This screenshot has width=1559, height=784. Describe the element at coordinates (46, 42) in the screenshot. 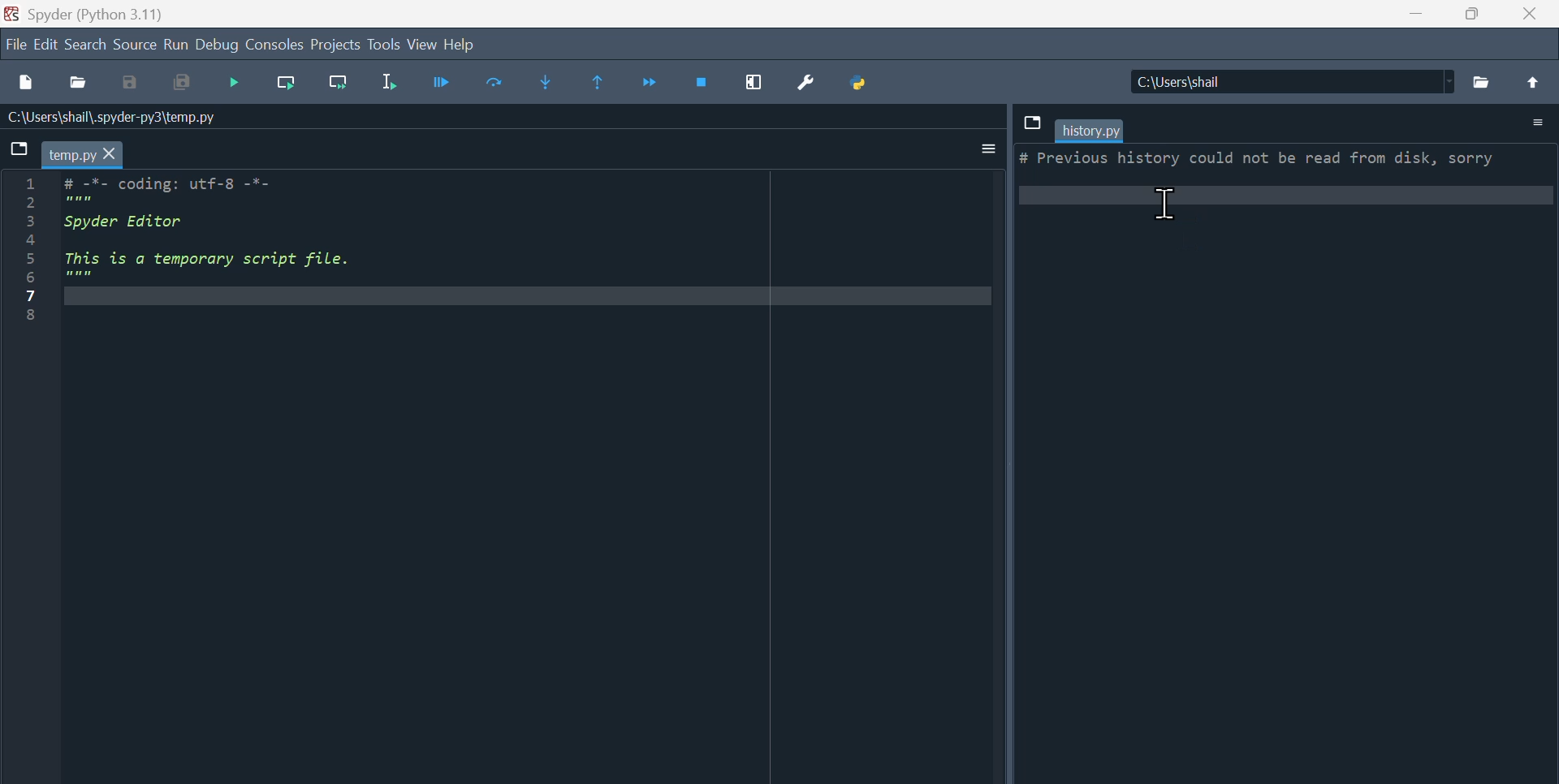

I see `Edit` at that location.